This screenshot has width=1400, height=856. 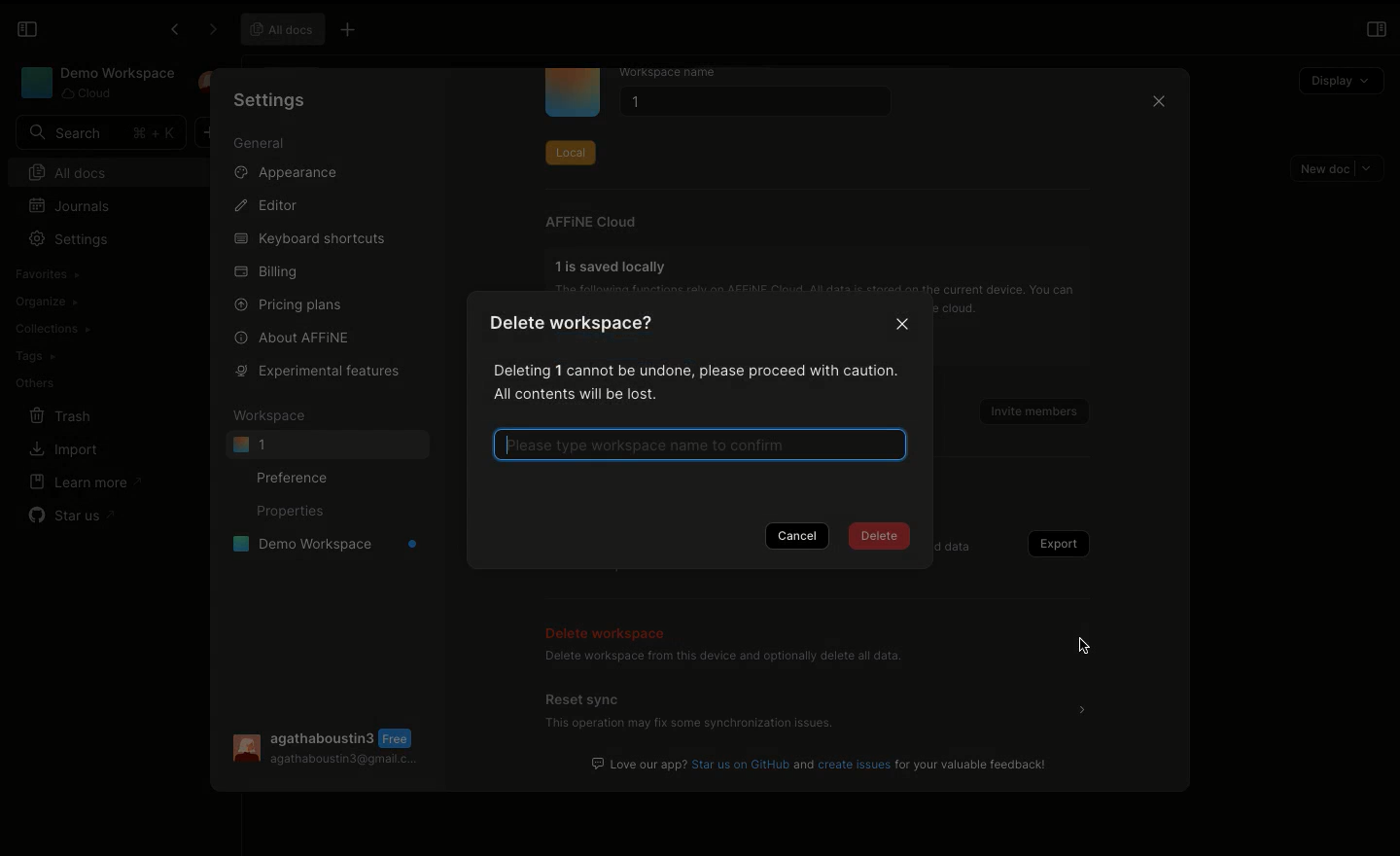 What do you see at coordinates (290, 303) in the screenshot?
I see `Pricing plans` at bounding box center [290, 303].